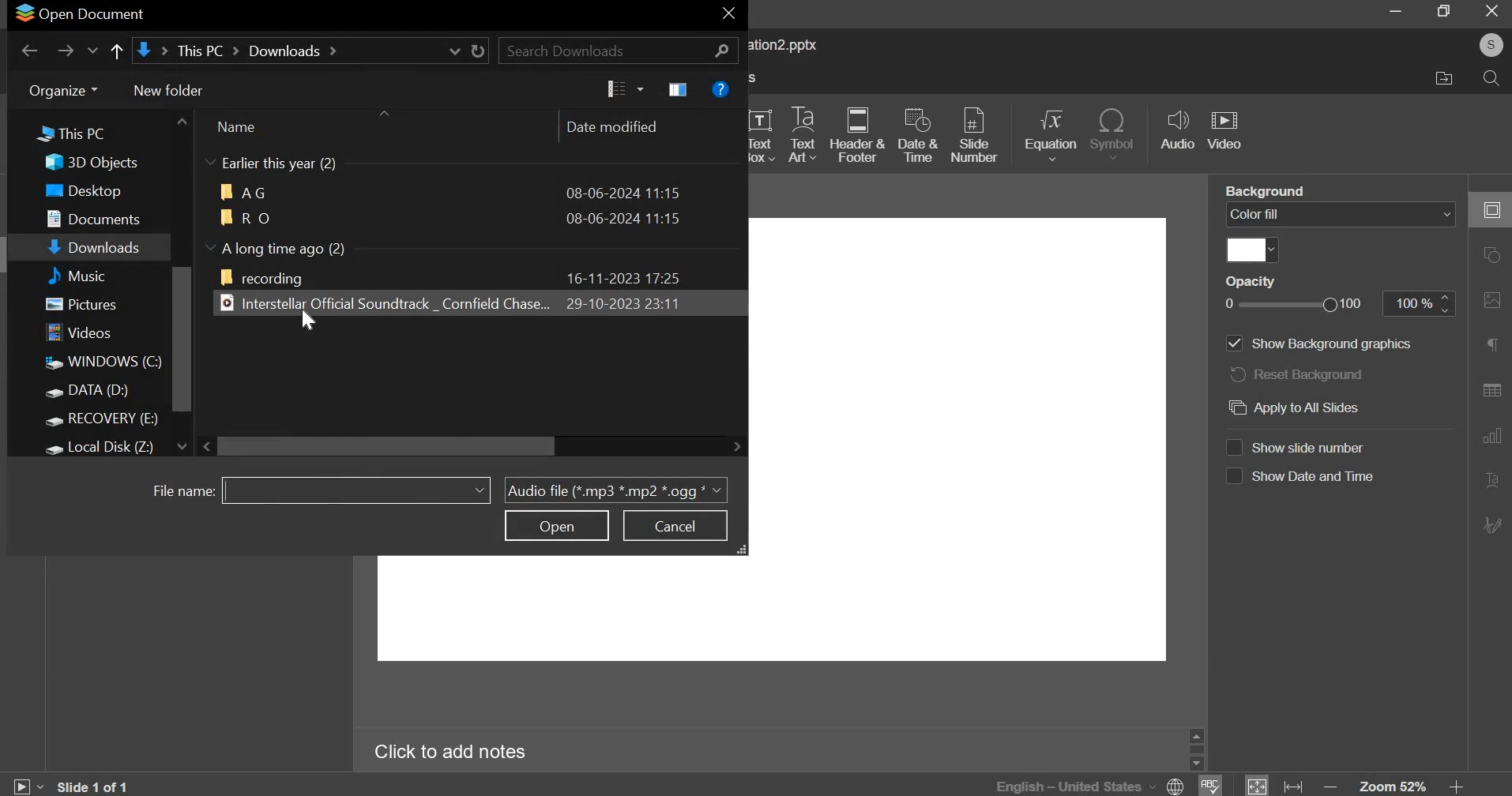  I want to click on scroll down, so click(181, 446).